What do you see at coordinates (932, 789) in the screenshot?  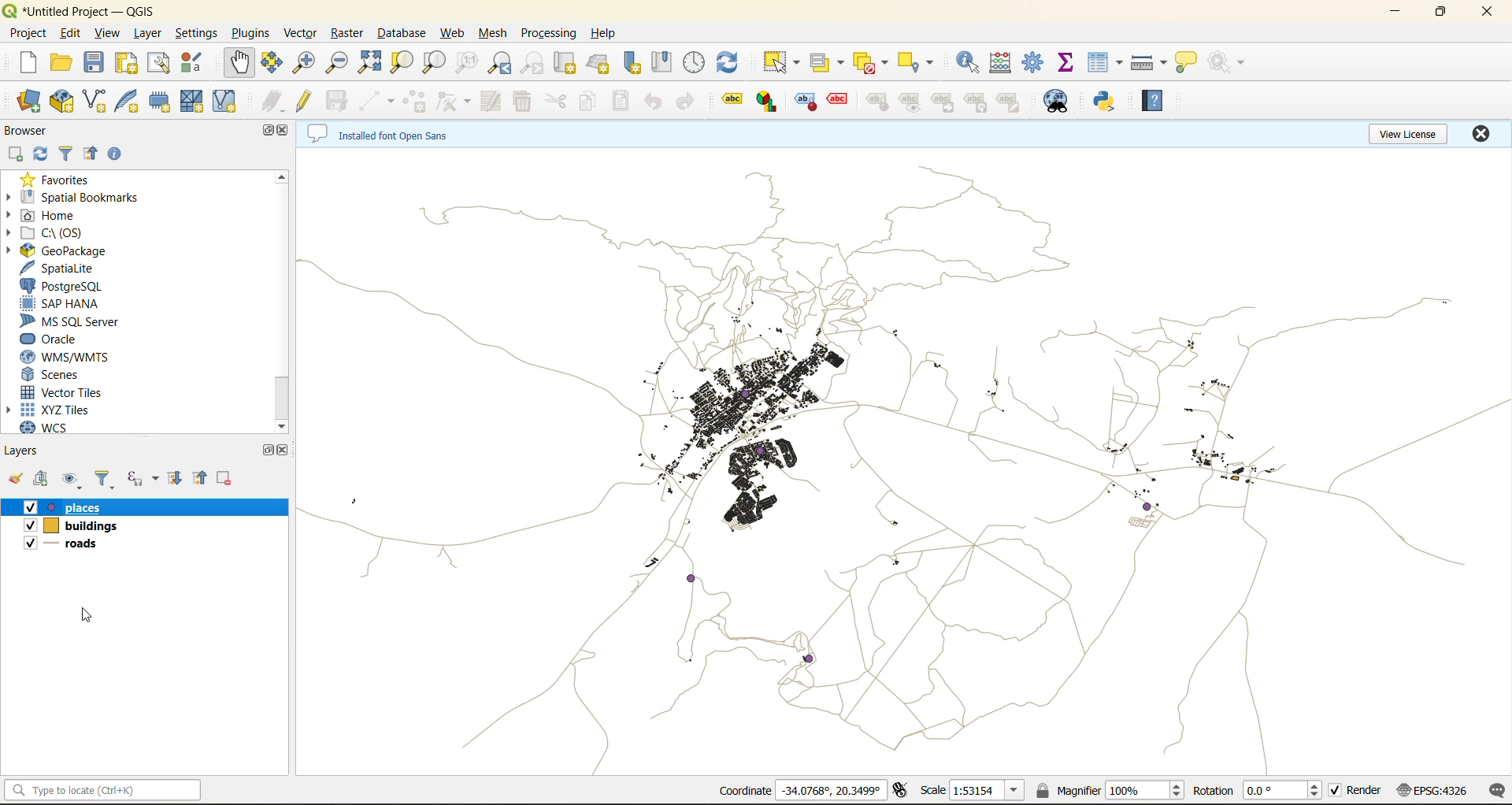 I see `scale` at bounding box center [932, 789].